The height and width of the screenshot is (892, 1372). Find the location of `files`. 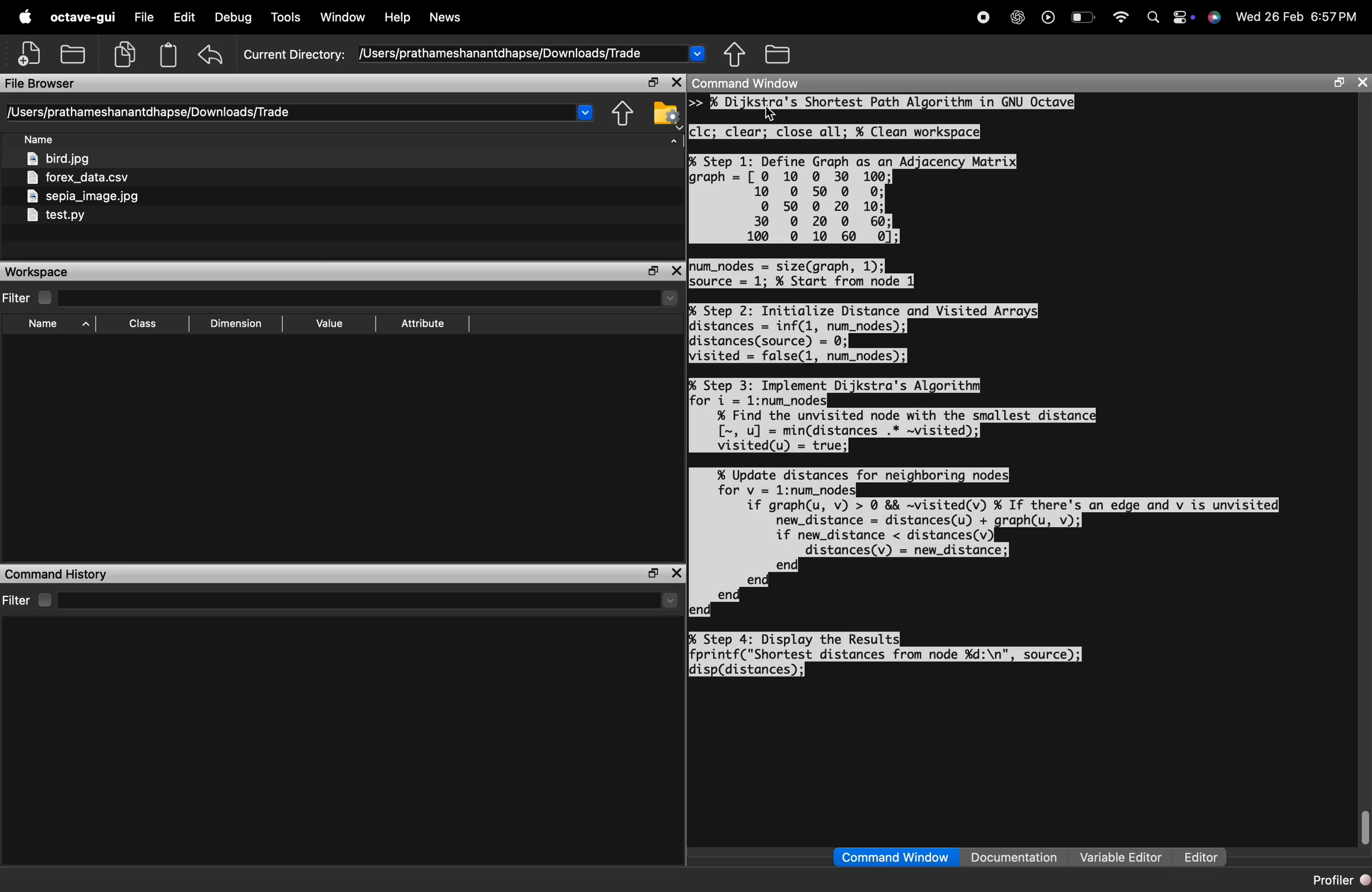

files is located at coordinates (85, 189).